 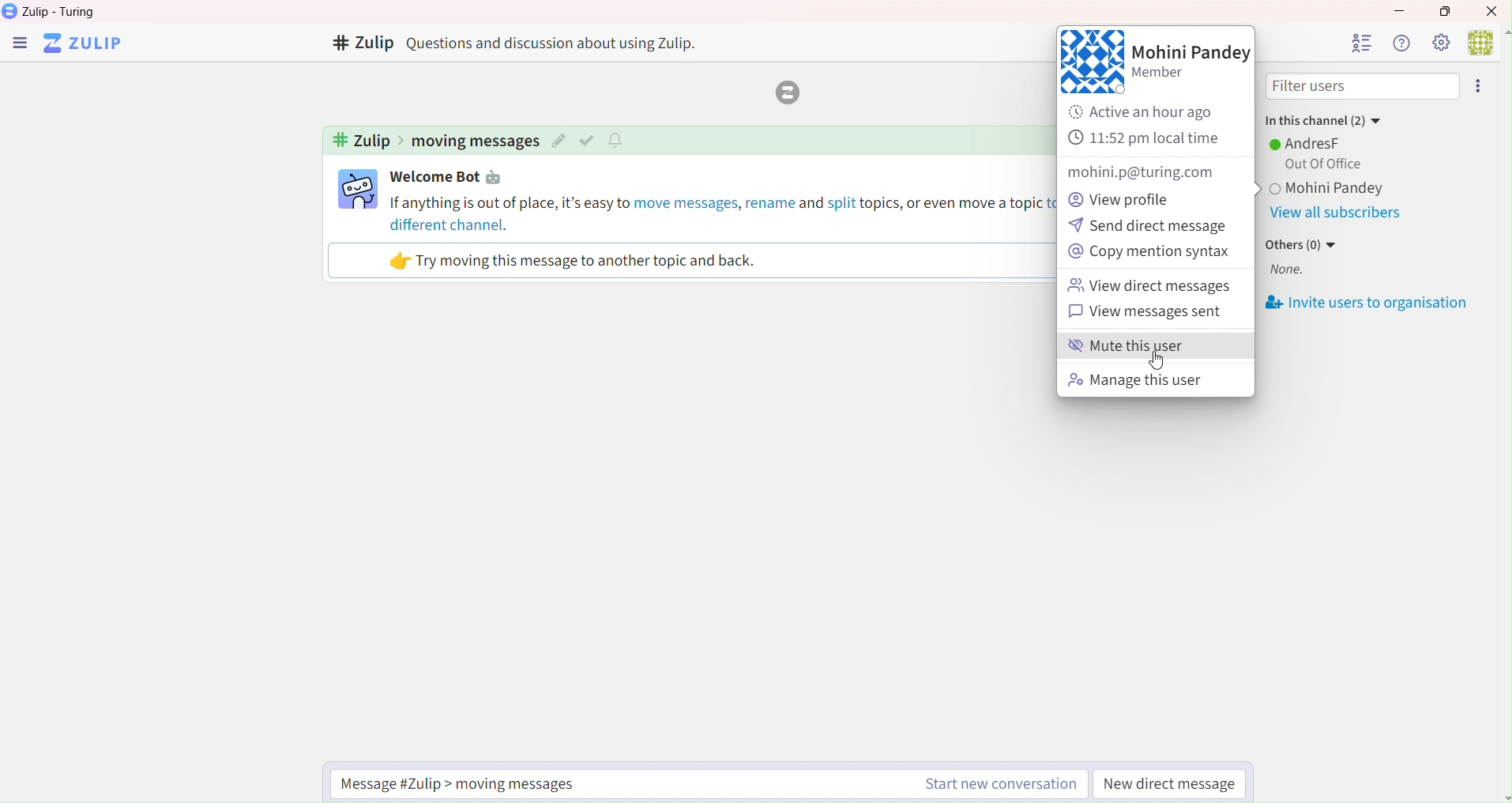 I want to click on AndresF, so click(x=1308, y=143).